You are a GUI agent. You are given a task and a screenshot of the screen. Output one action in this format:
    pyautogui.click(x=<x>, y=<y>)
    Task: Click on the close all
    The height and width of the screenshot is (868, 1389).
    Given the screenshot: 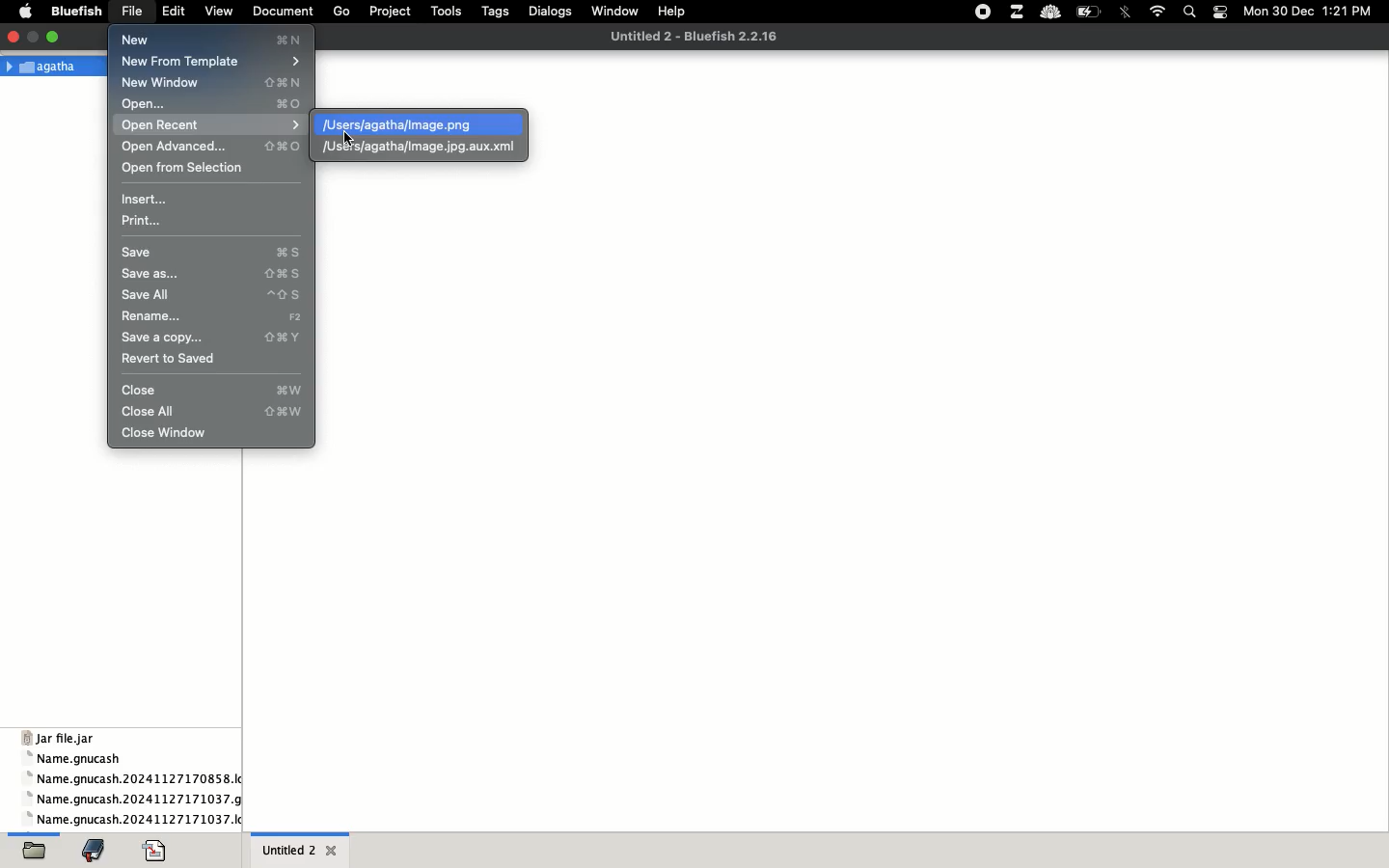 What is the action you would take?
    pyautogui.click(x=215, y=411)
    